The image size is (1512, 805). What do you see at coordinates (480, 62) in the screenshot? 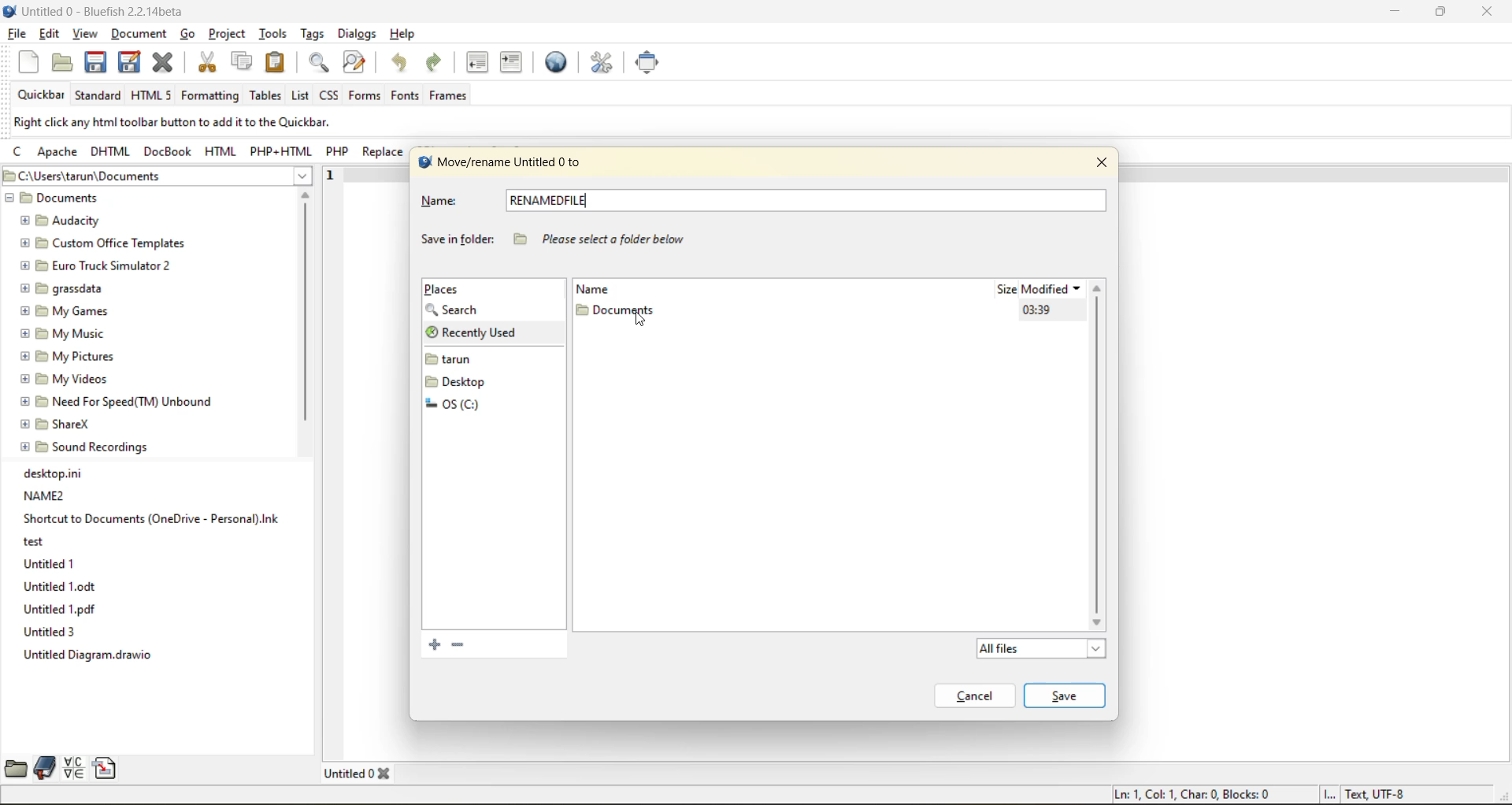
I see `unindent` at bounding box center [480, 62].